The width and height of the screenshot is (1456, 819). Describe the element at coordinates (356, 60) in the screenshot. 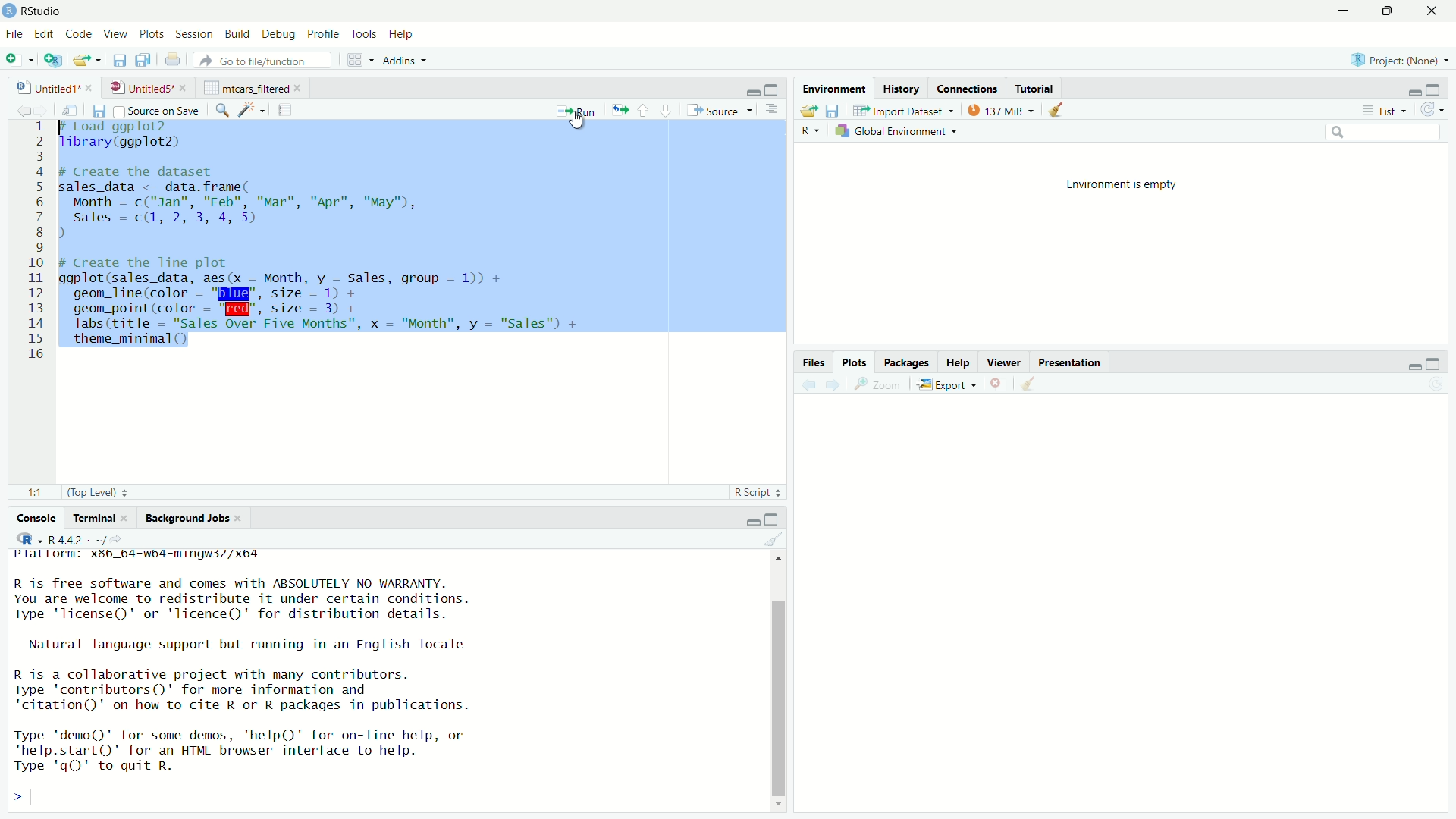

I see `workspace panes` at that location.